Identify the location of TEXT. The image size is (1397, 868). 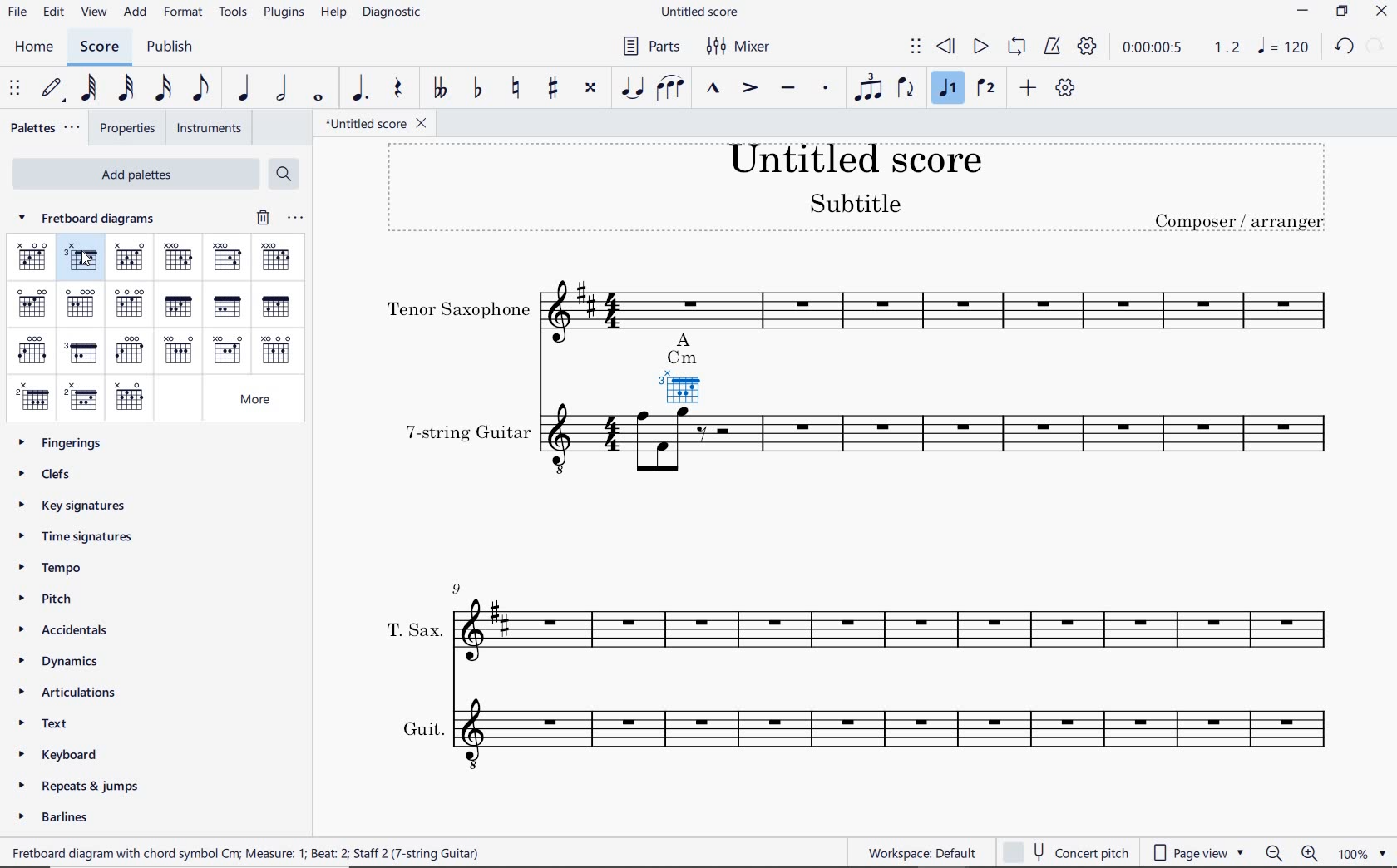
(56, 723).